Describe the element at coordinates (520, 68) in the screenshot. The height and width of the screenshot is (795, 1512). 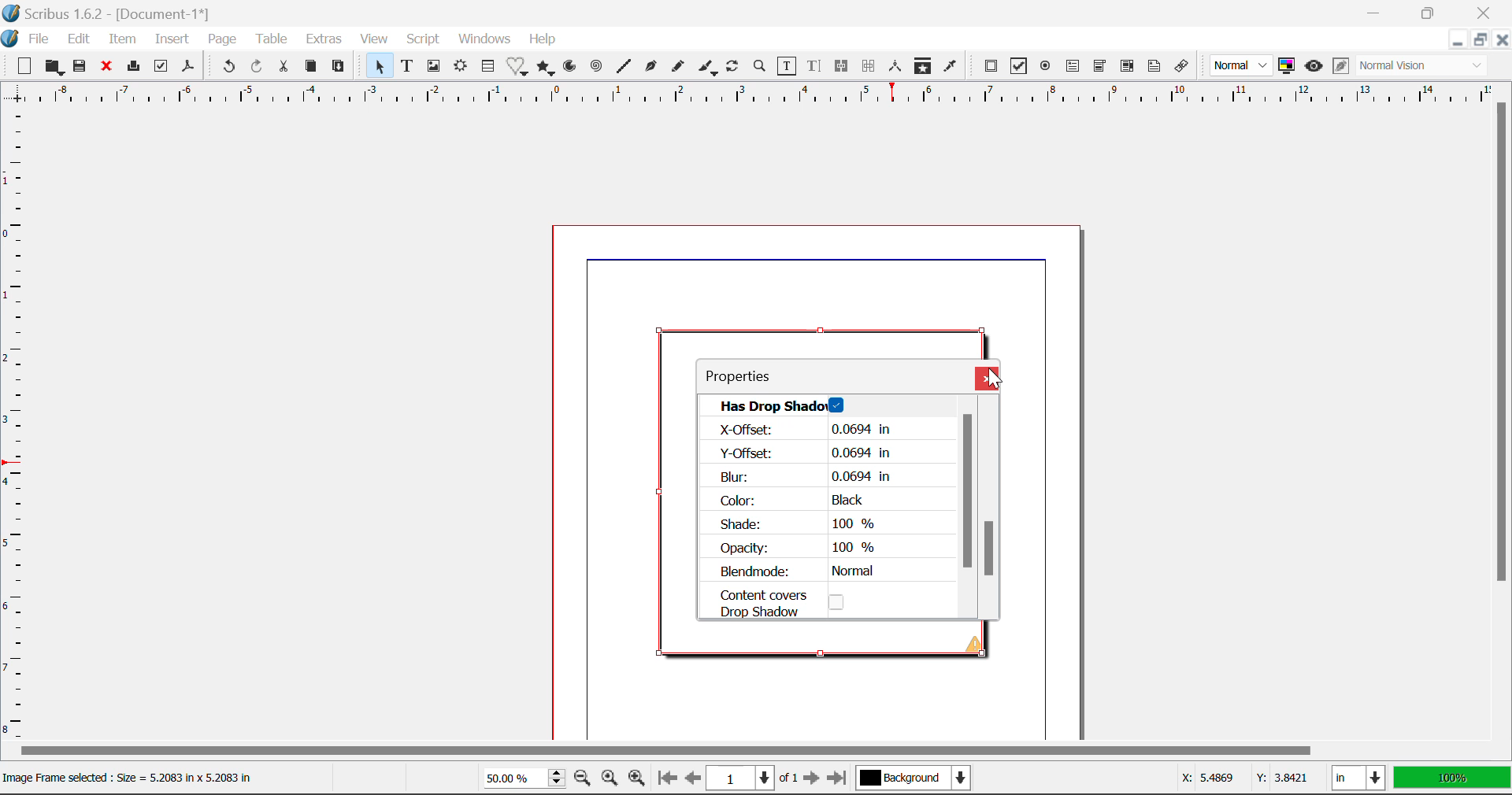
I see `Special Shapes` at that location.